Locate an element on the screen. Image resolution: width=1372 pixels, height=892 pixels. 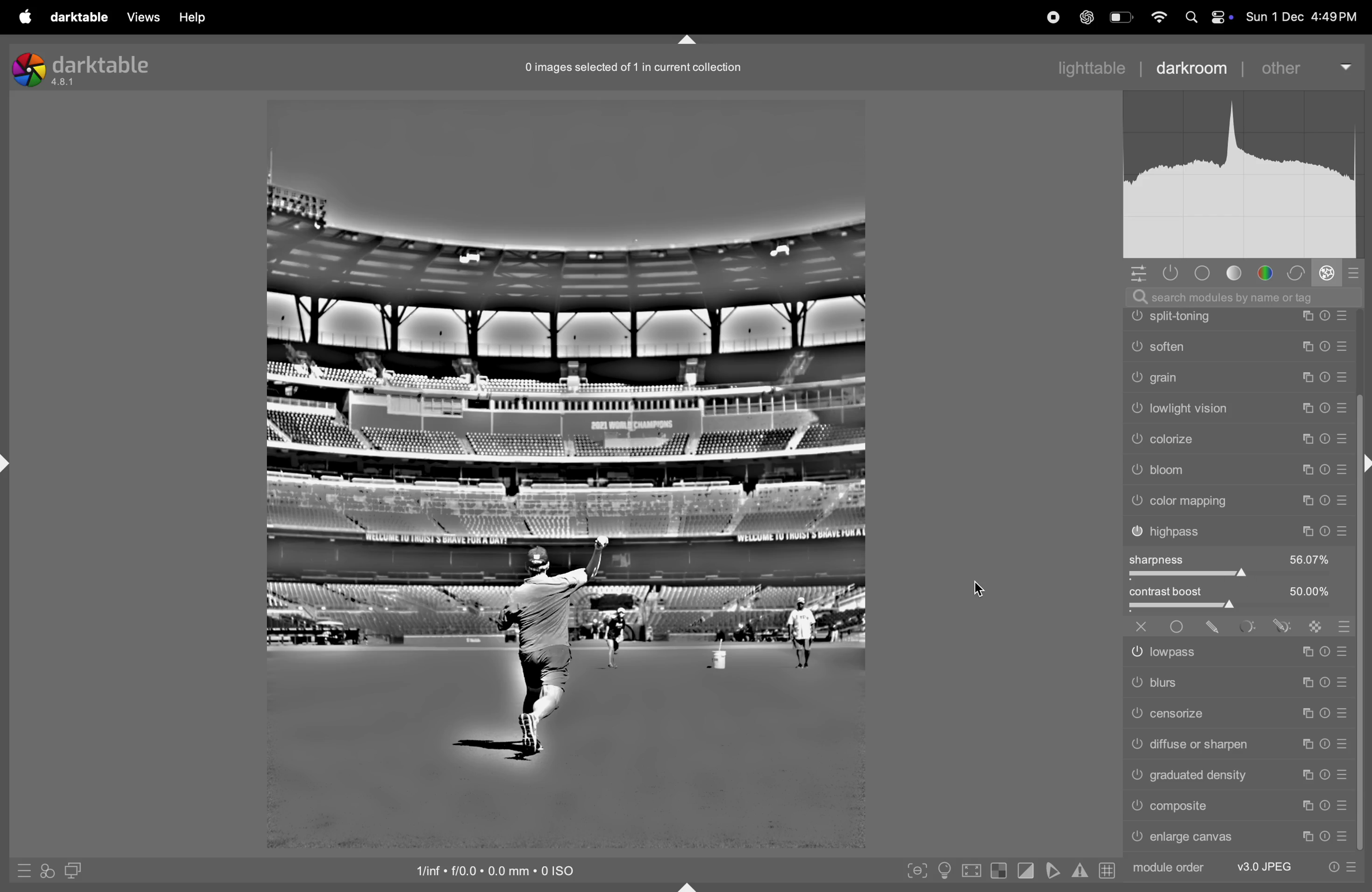
blurs is located at coordinates (1237, 682).